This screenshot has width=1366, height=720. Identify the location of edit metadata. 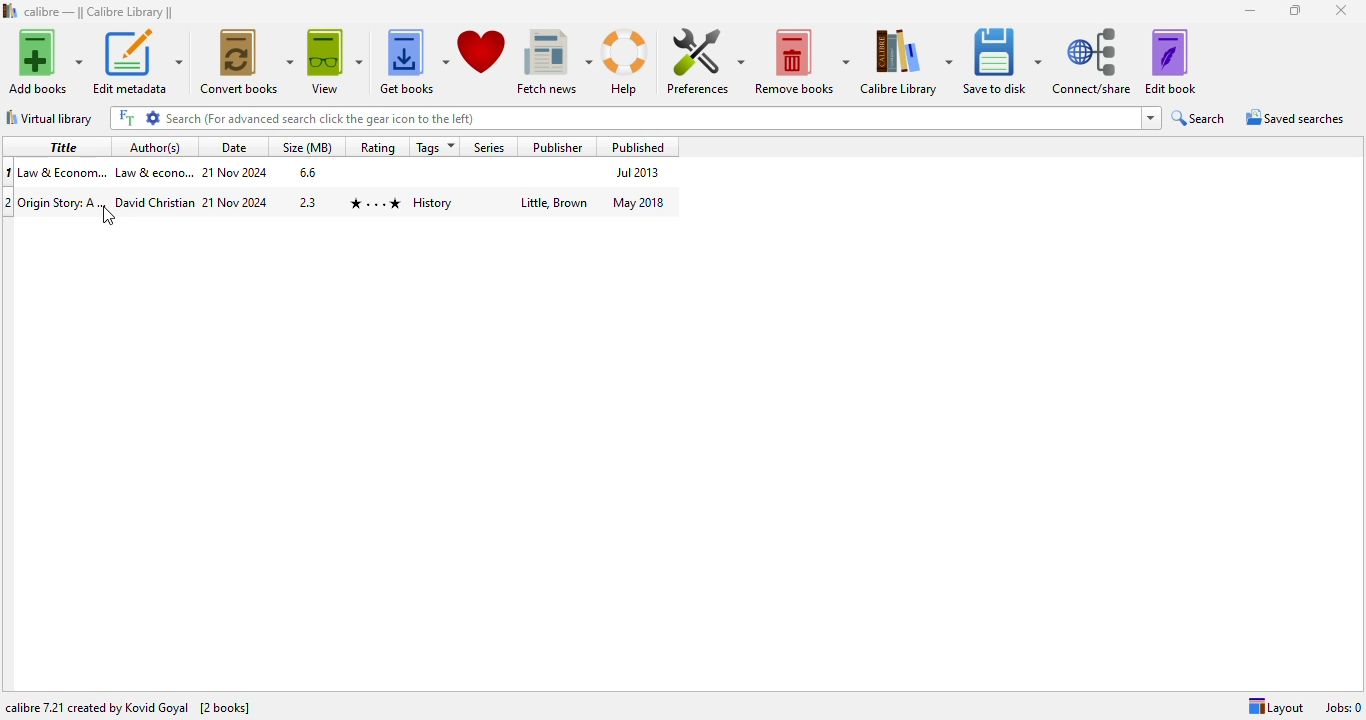
(137, 61).